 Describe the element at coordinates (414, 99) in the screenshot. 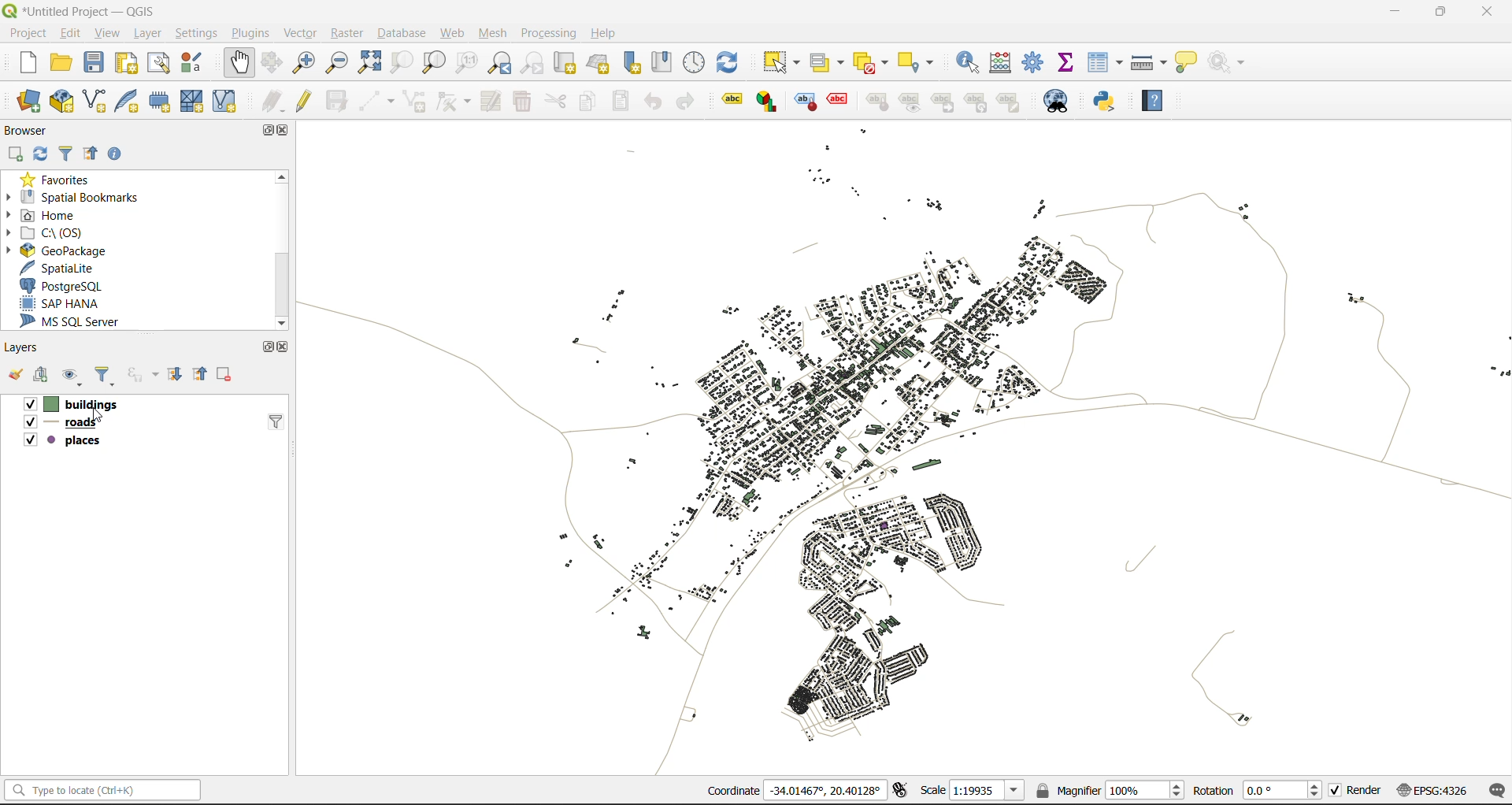

I see `add polygon` at that location.